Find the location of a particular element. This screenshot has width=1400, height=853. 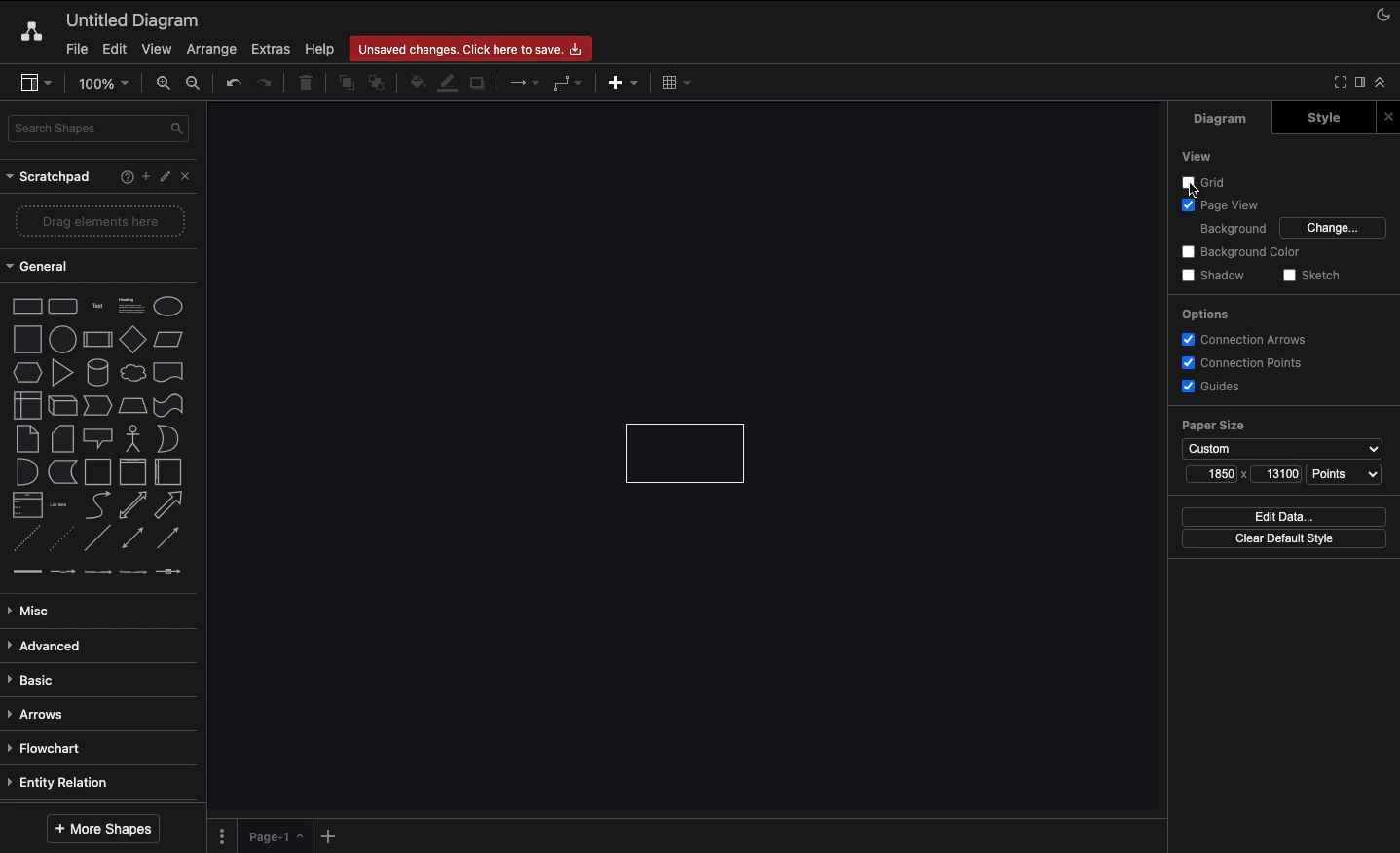

Shape is located at coordinates (689, 453).